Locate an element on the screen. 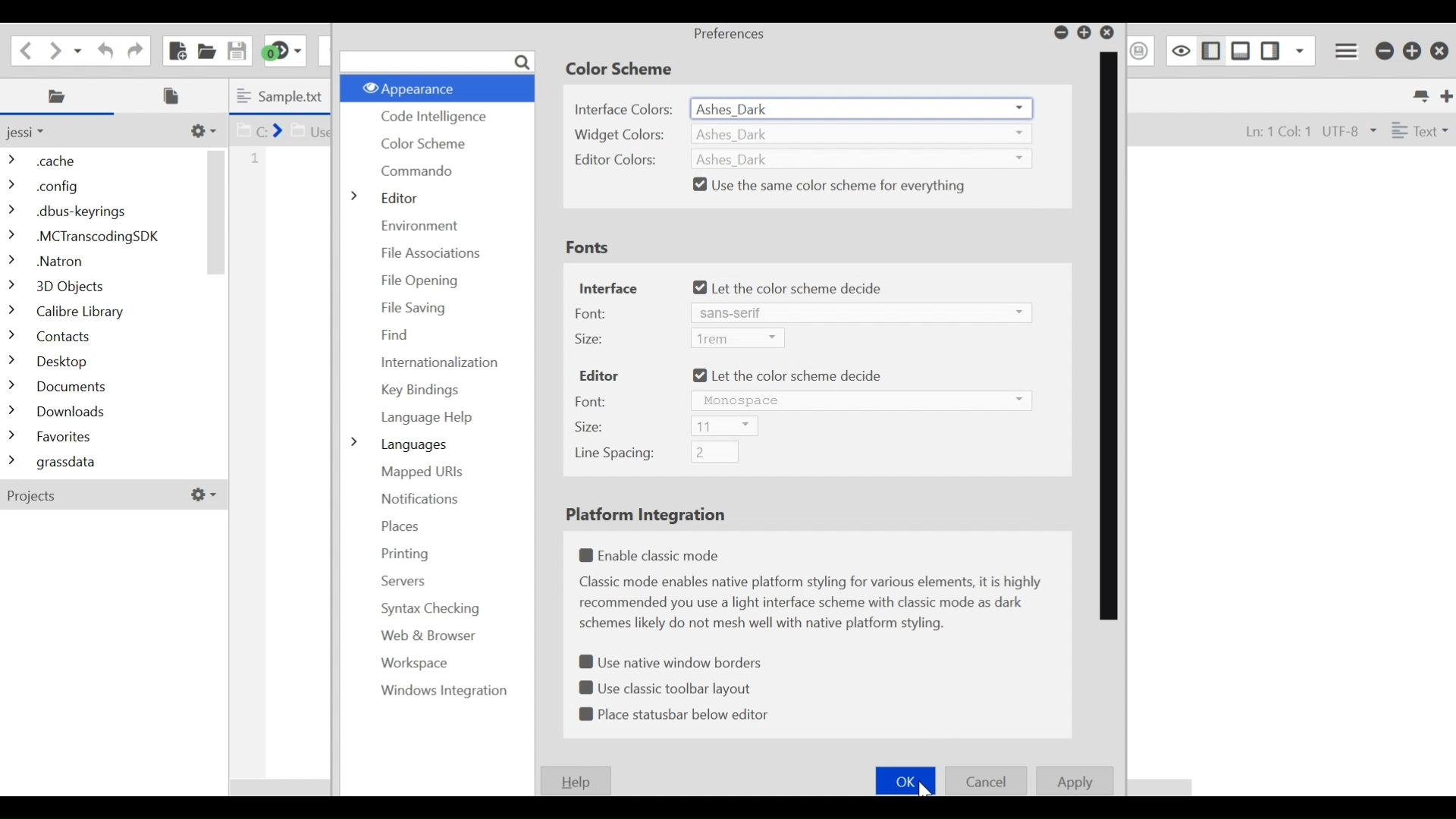 This screenshot has height=819, width=1456. tomorrow light is located at coordinates (863, 457).